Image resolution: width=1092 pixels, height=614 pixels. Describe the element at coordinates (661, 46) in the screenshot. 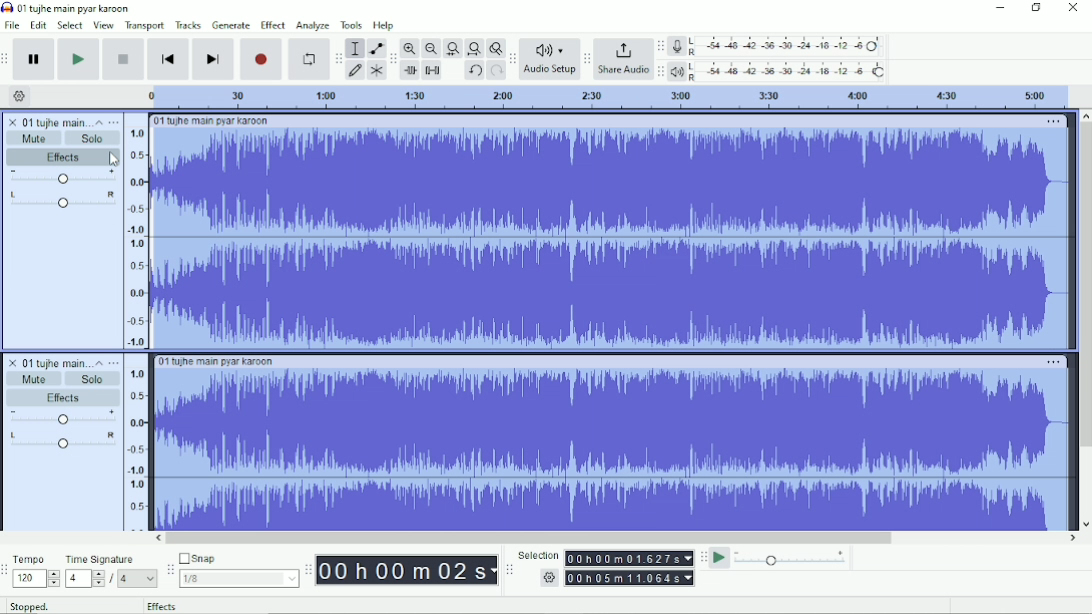

I see `Audacity recording meter toolbar` at that location.